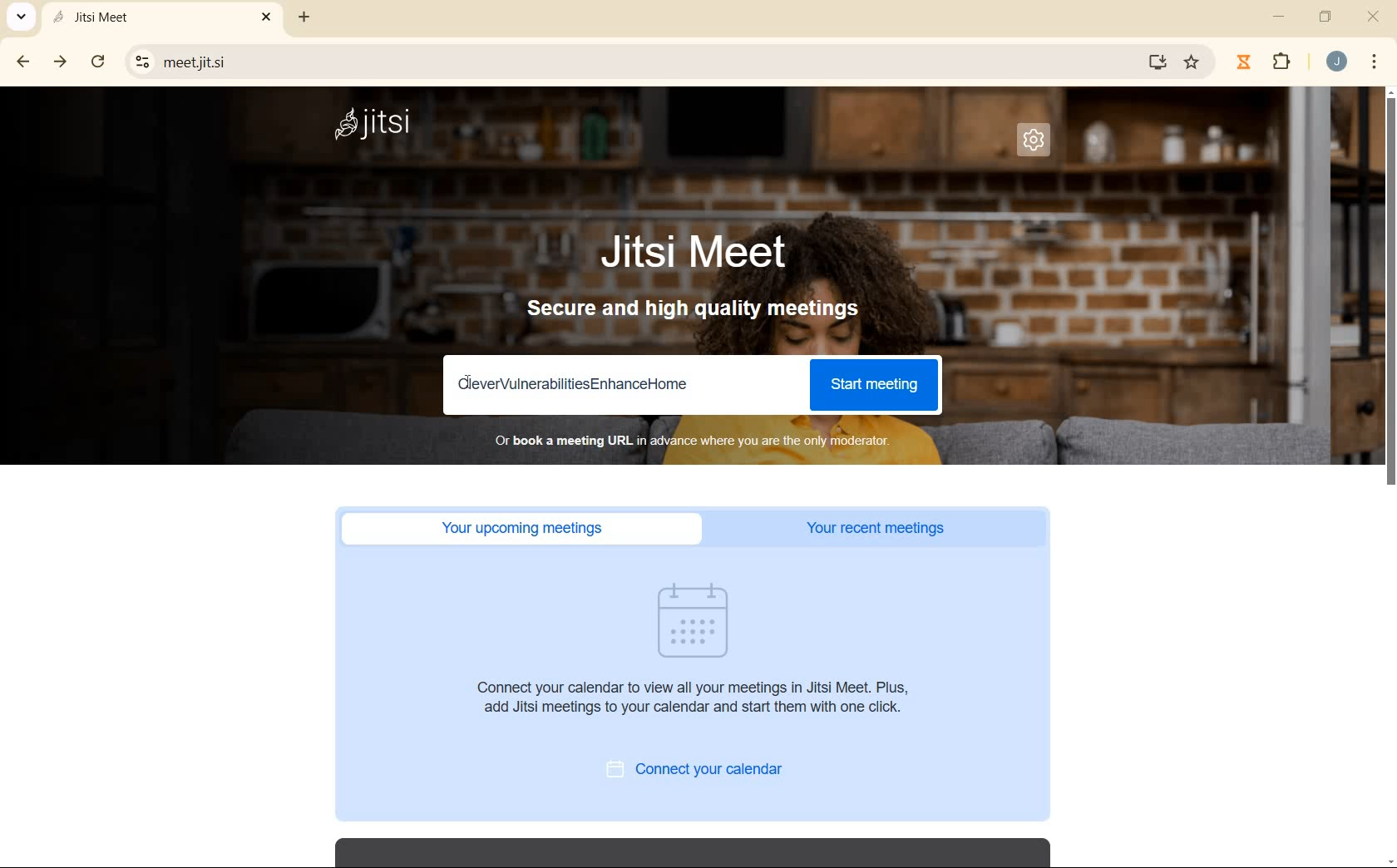  I want to click on View Site Information, so click(140, 61).